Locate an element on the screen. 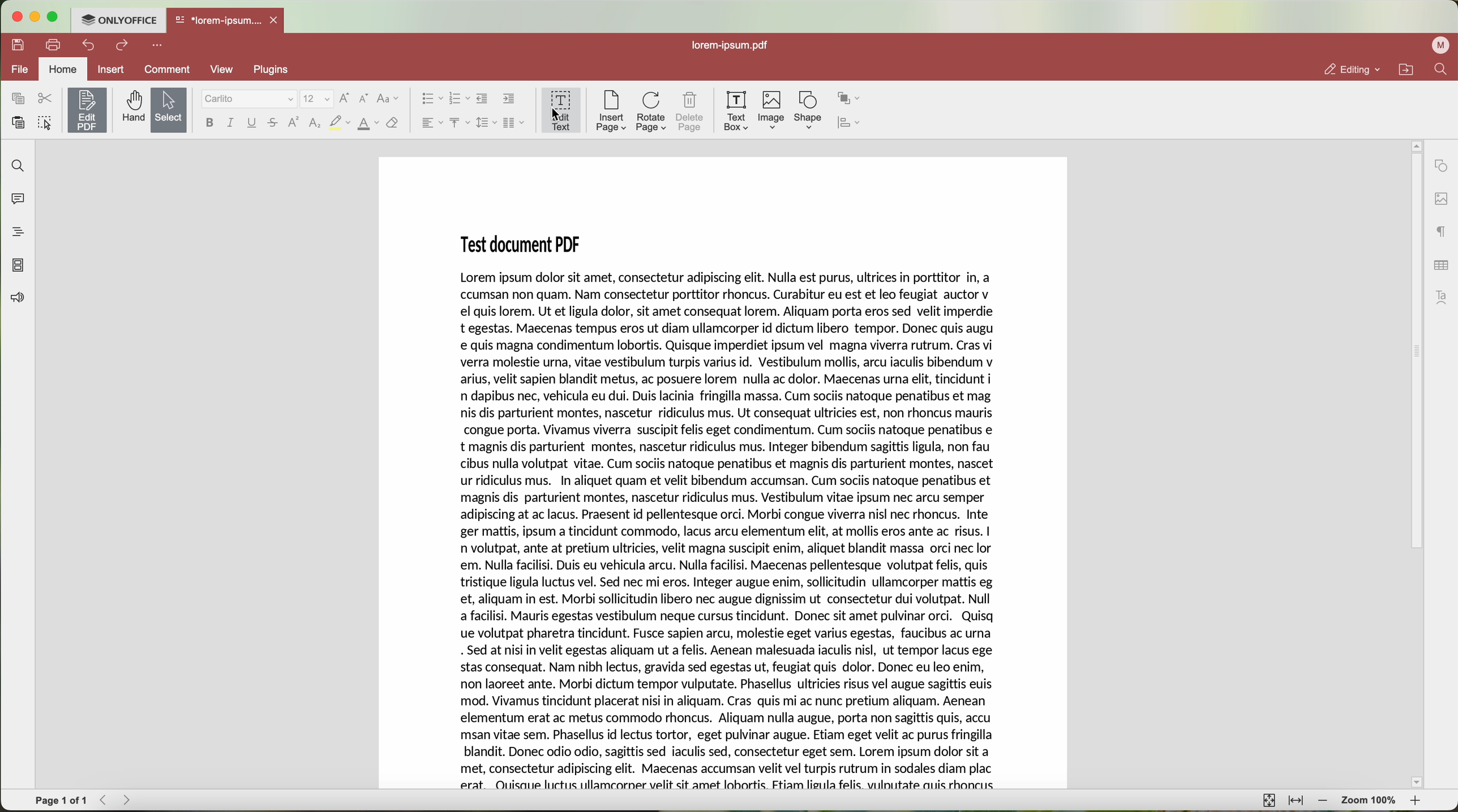 The height and width of the screenshot is (812, 1458). rotate page is located at coordinates (652, 113).